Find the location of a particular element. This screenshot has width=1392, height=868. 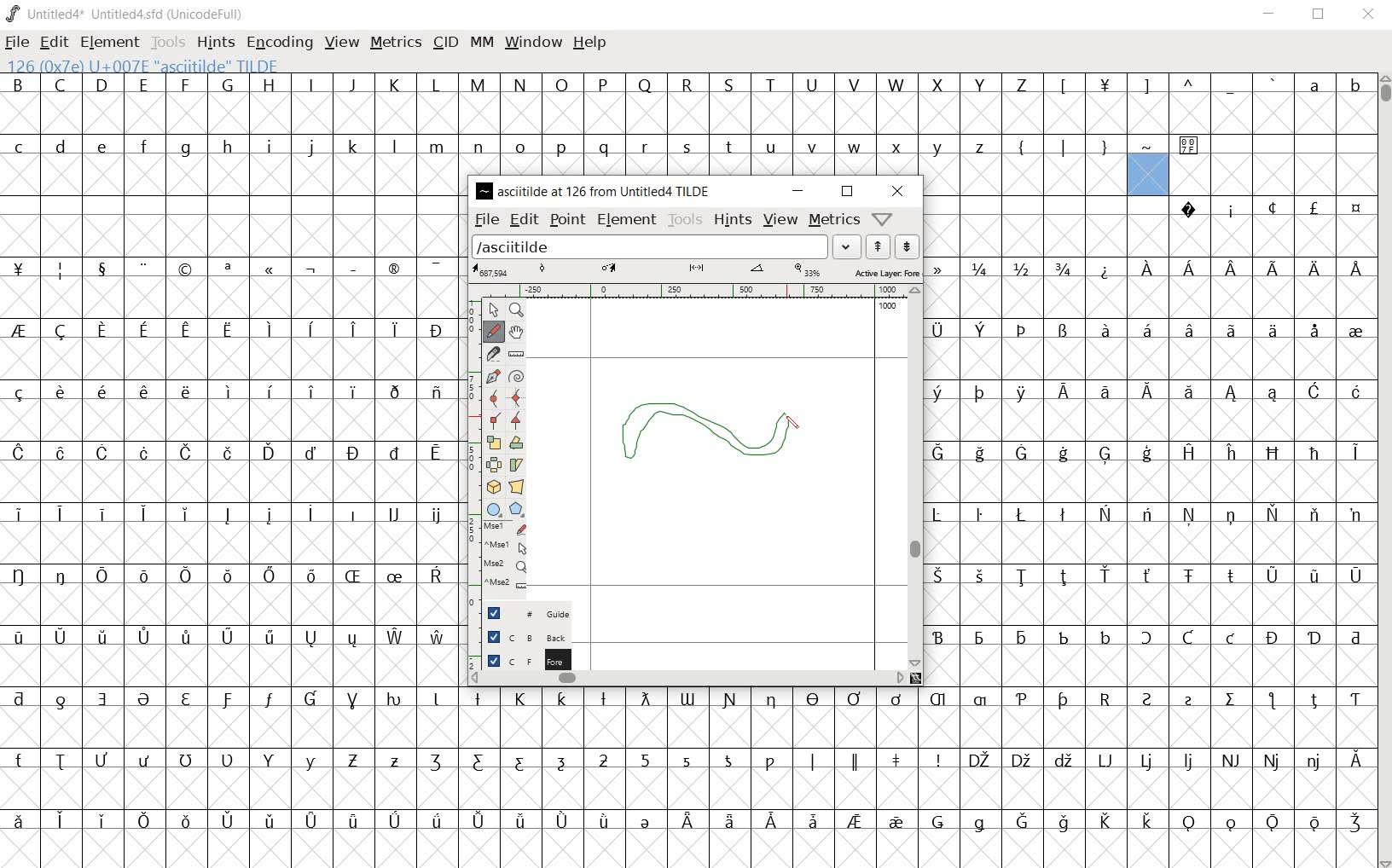

Rotate the selection is located at coordinates (516, 465).